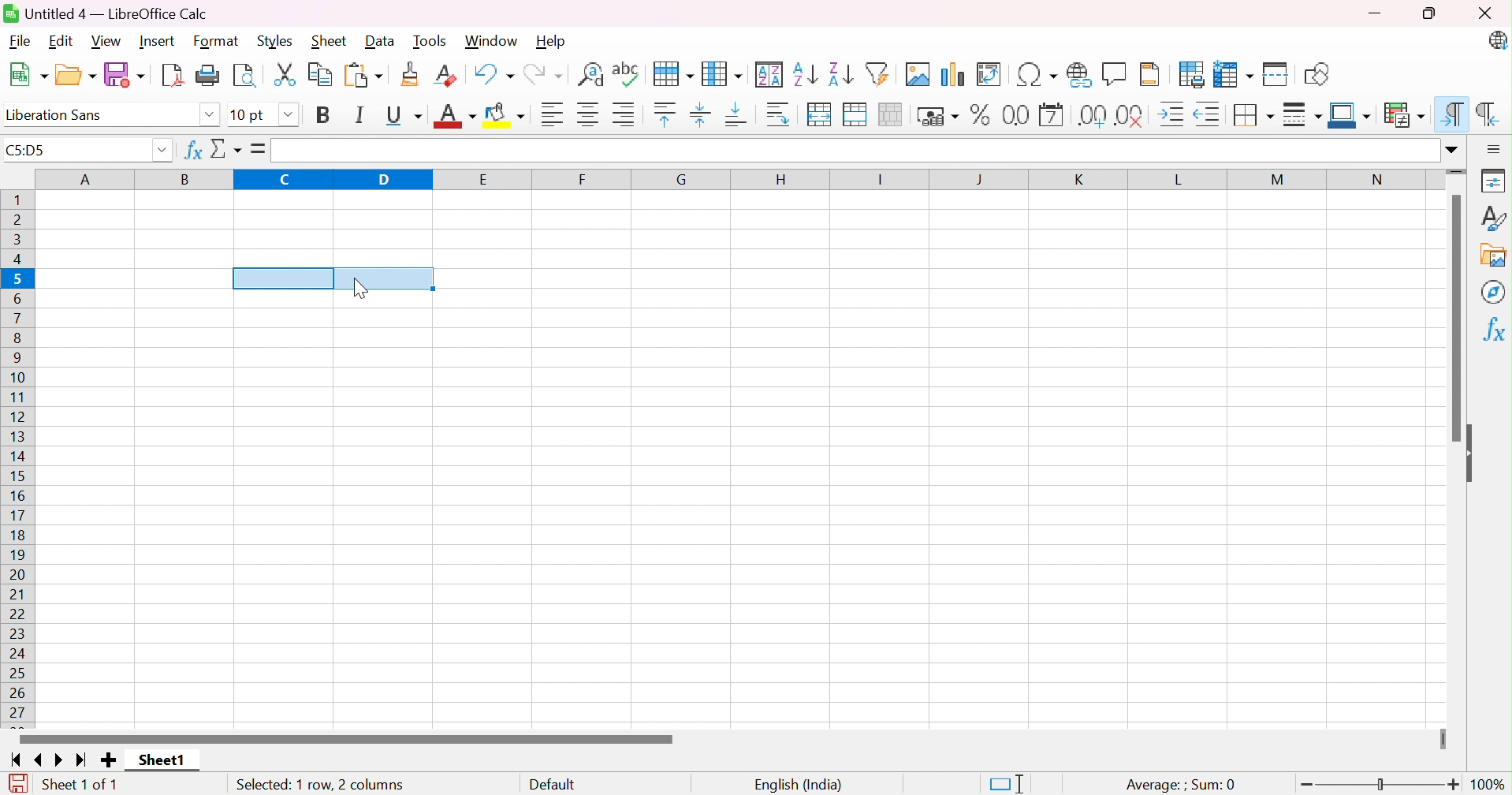 Image resolution: width=1512 pixels, height=795 pixels. Describe the element at coordinates (249, 114) in the screenshot. I see `10 pt` at that location.